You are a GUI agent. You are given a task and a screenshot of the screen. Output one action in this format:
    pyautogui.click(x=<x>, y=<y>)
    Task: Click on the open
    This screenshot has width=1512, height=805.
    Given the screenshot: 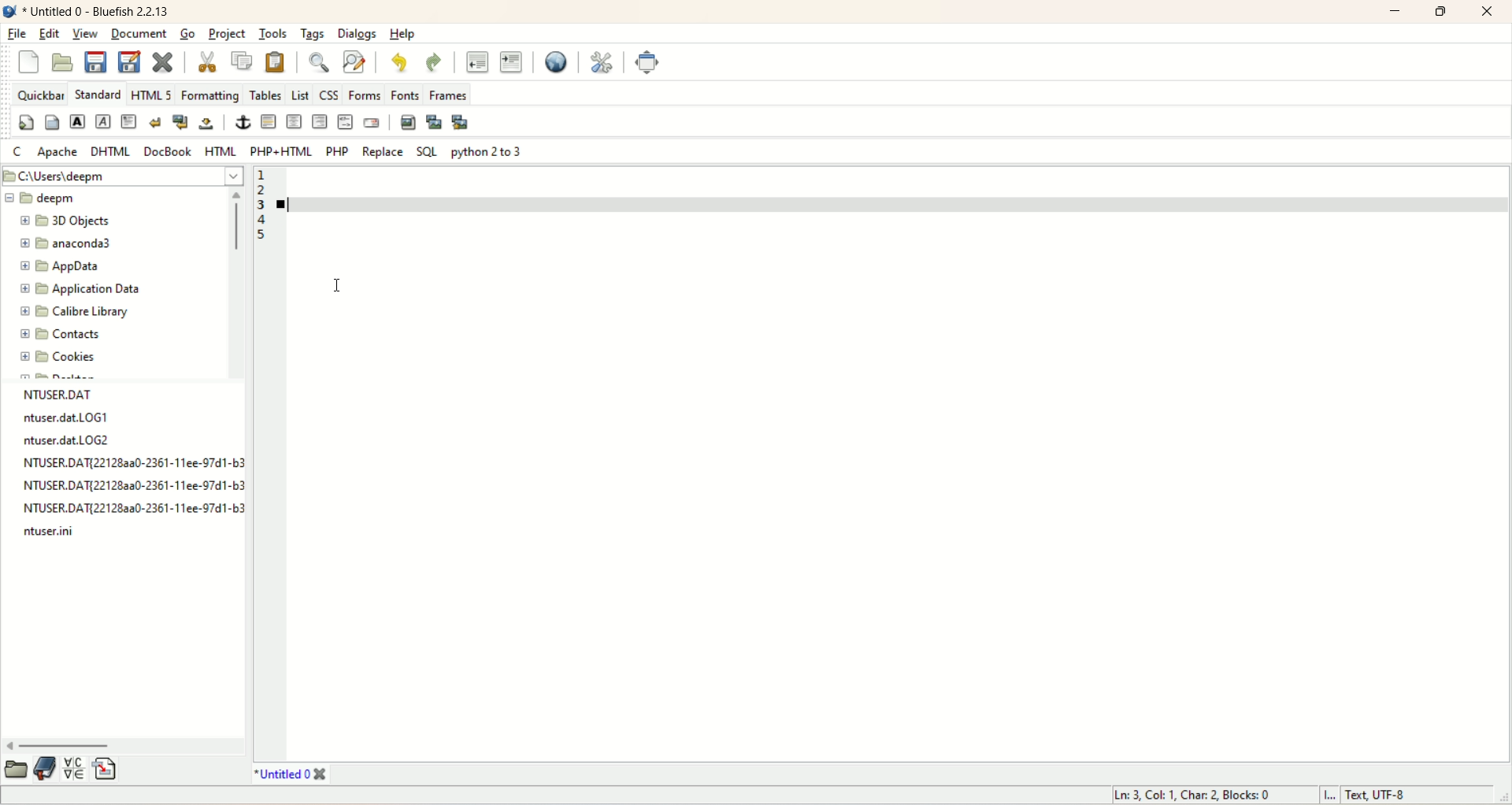 What is the action you would take?
    pyautogui.click(x=16, y=771)
    